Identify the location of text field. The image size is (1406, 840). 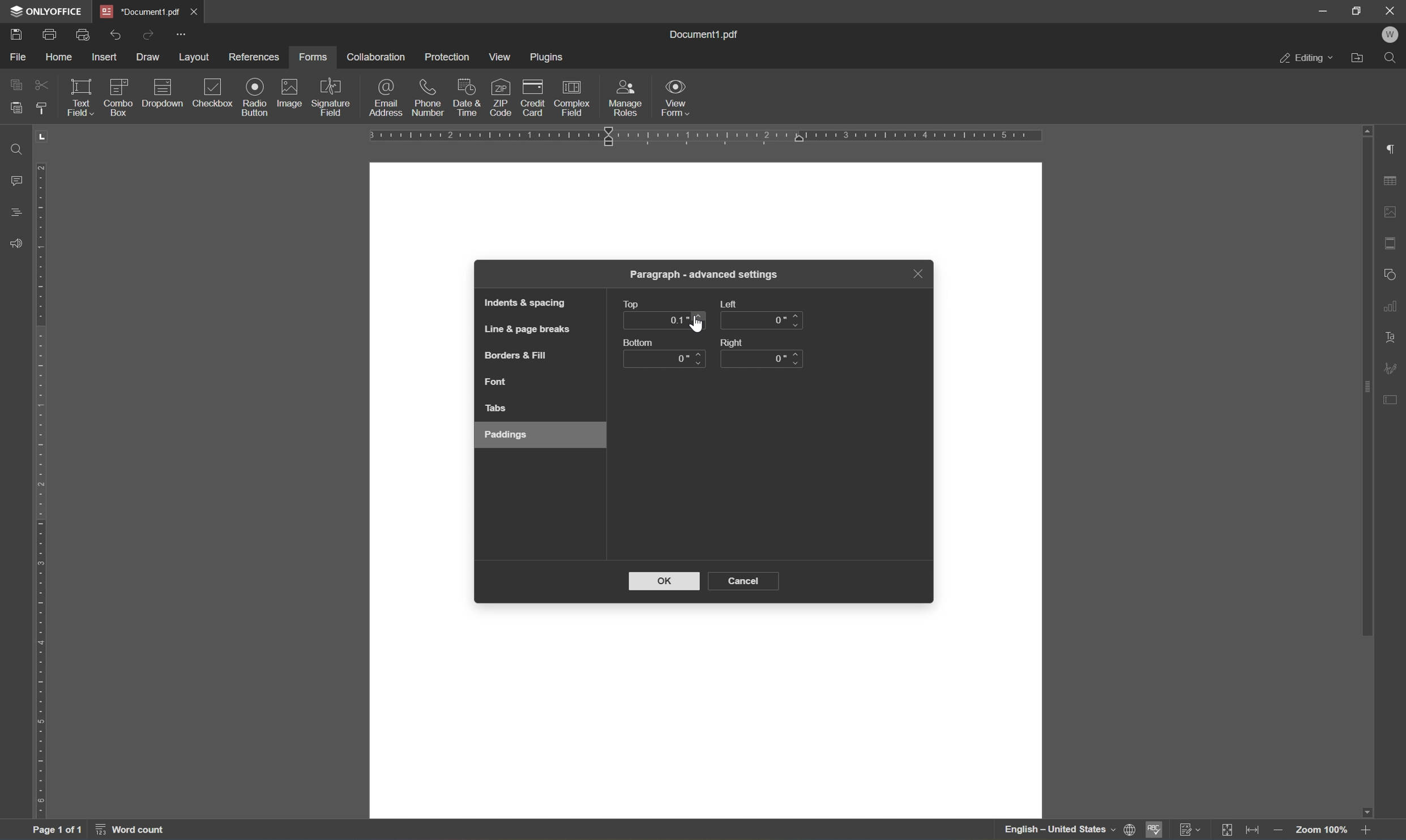
(78, 96).